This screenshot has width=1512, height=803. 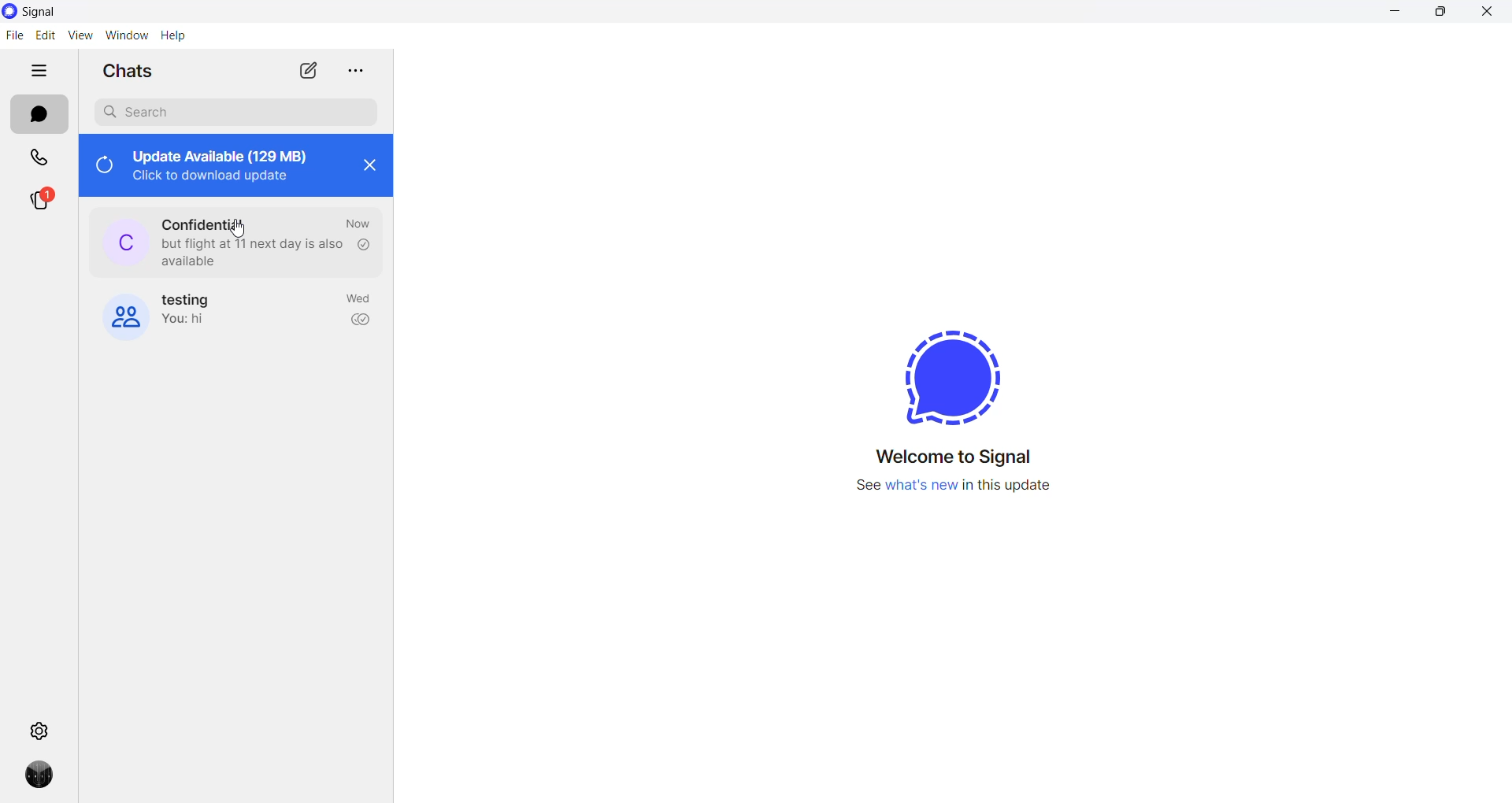 I want to click on settings, so click(x=43, y=729).